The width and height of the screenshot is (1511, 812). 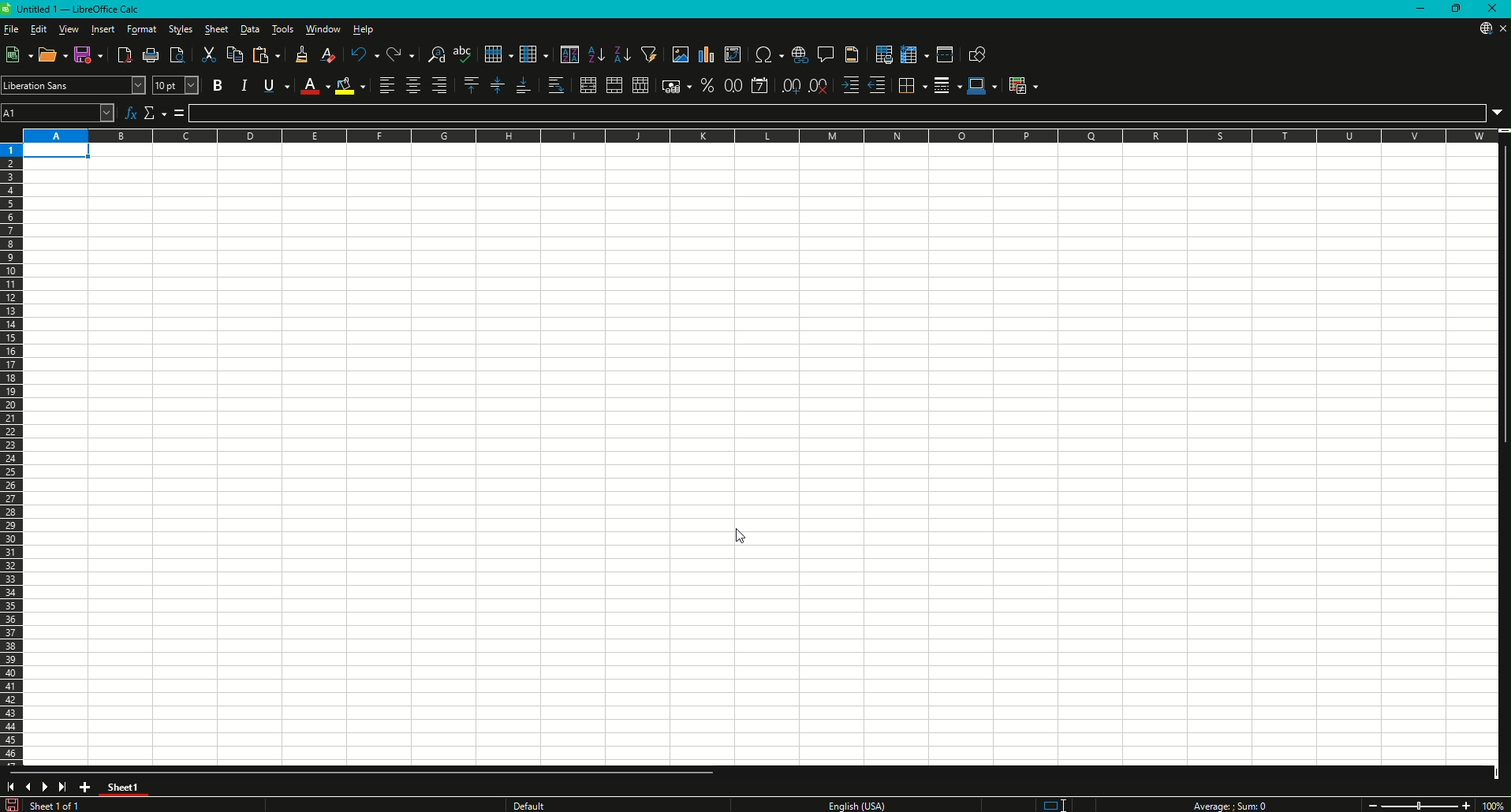 What do you see at coordinates (63, 85) in the screenshot?
I see `Font` at bounding box center [63, 85].